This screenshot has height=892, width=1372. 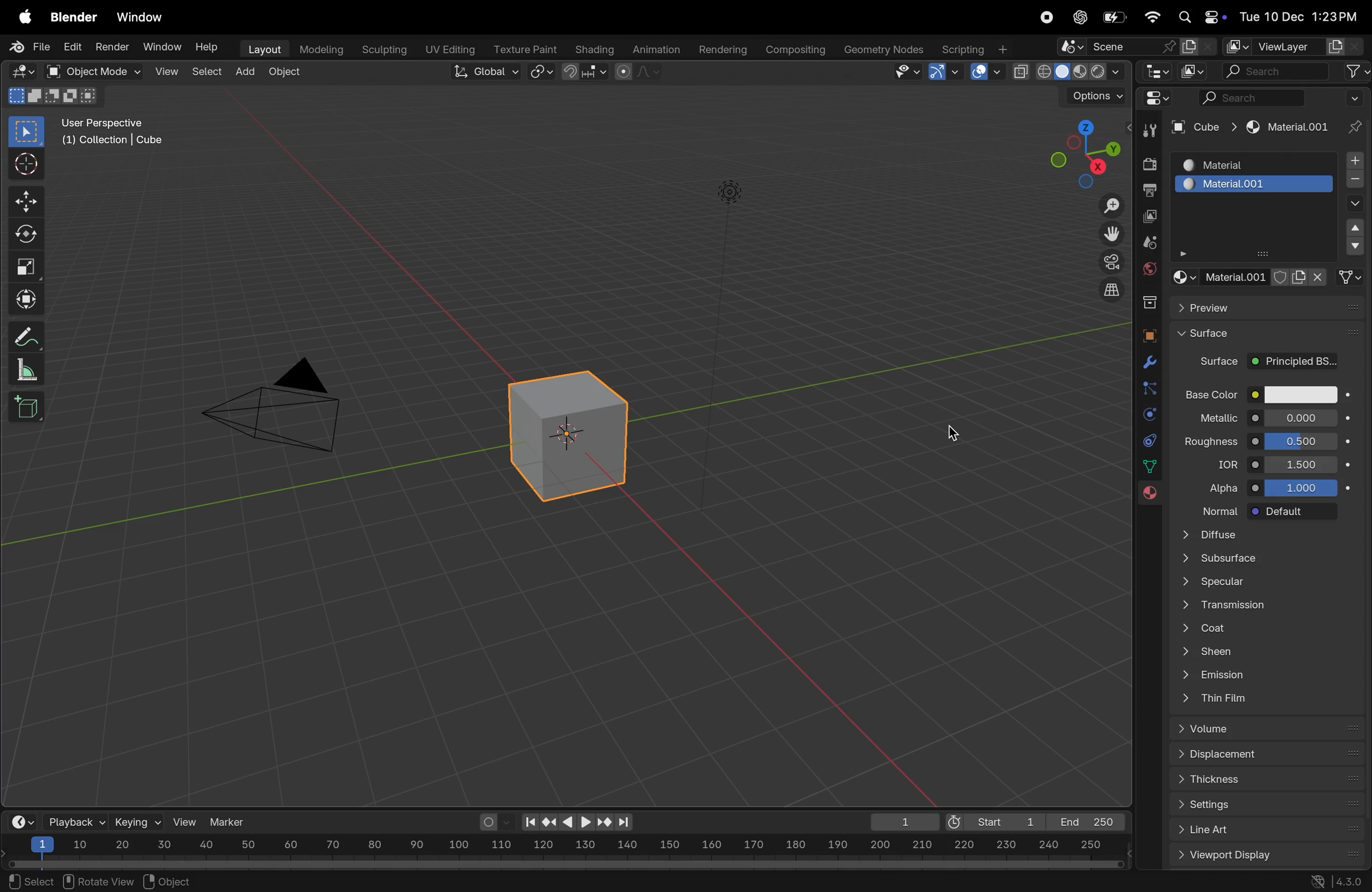 I want to click on editor type, so click(x=18, y=70).